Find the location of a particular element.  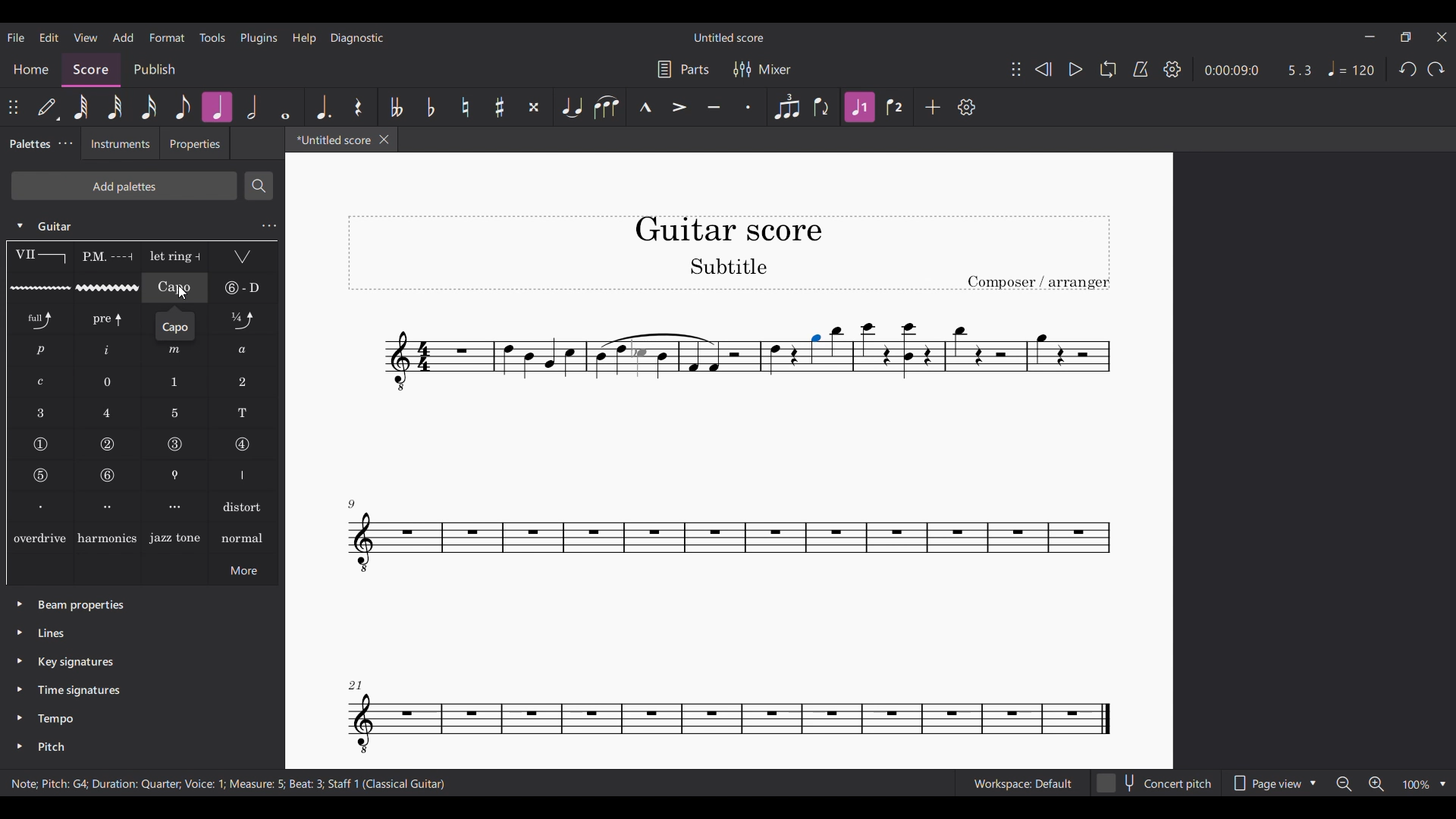

Palettes, current tab is located at coordinates (28, 144).